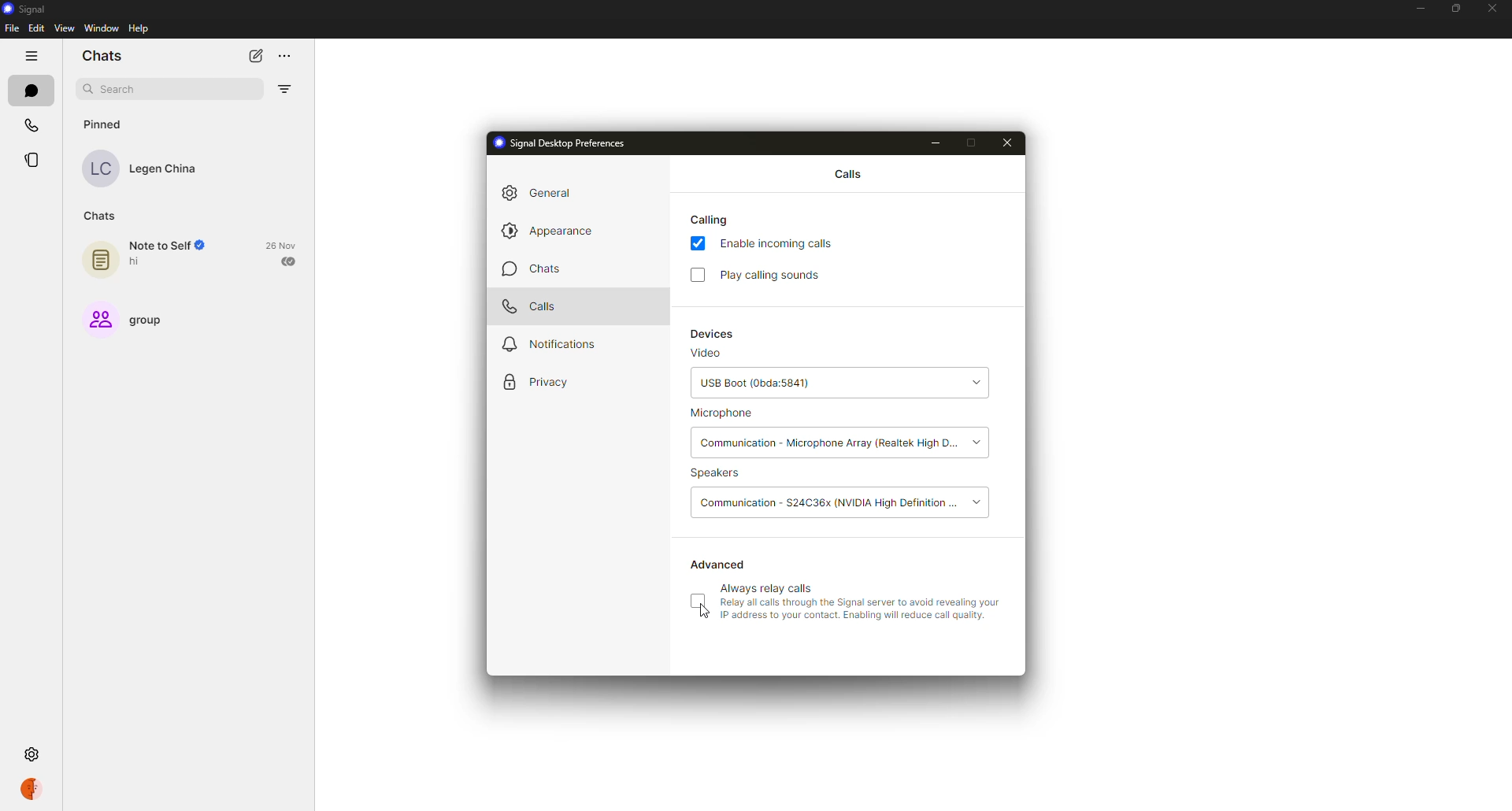  Describe the element at coordinates (712, 219) in the screenshot. I see `calling` at that location.